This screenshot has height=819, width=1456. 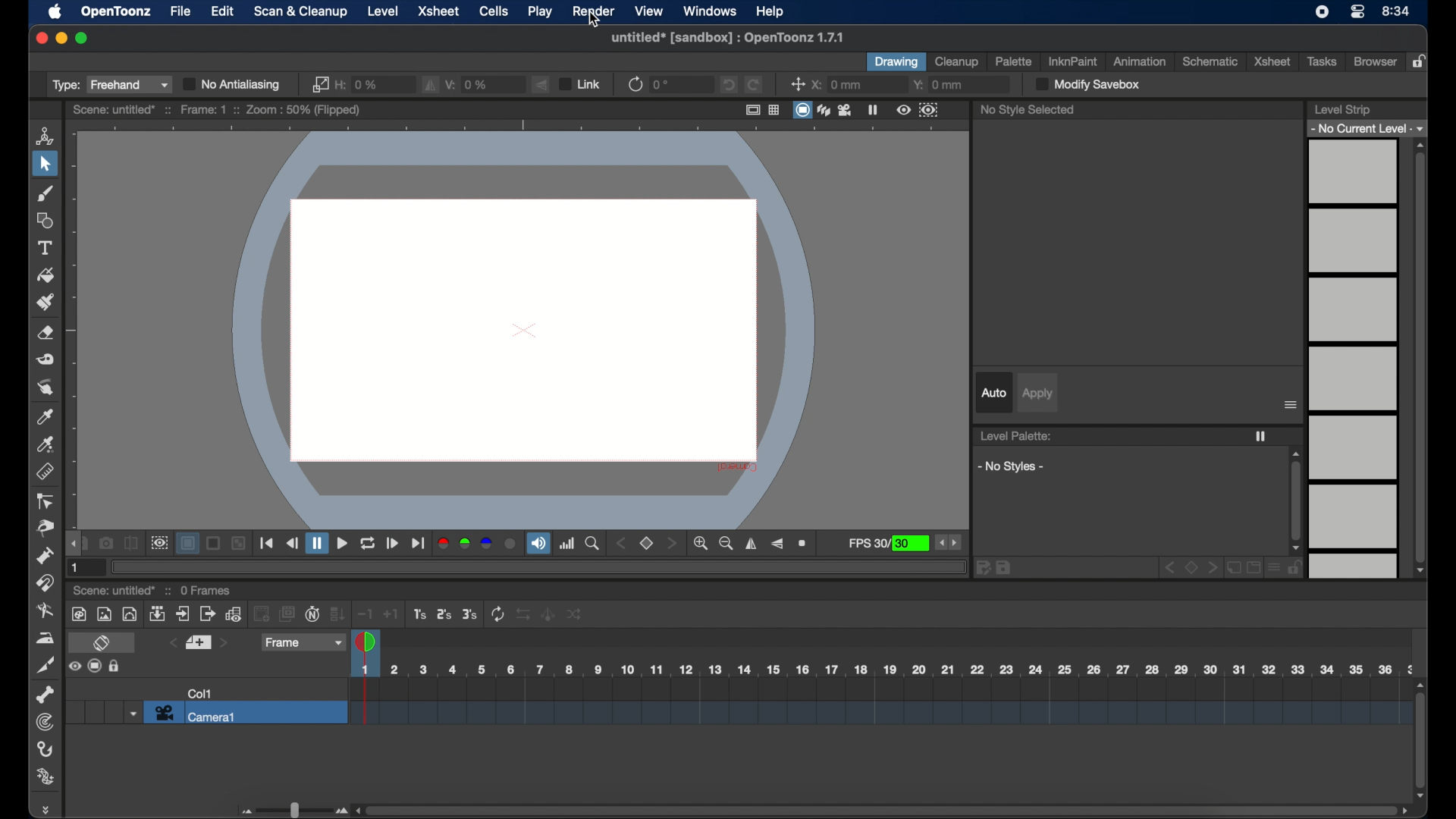 I want to click on freeze, so click(x=873, y=109).